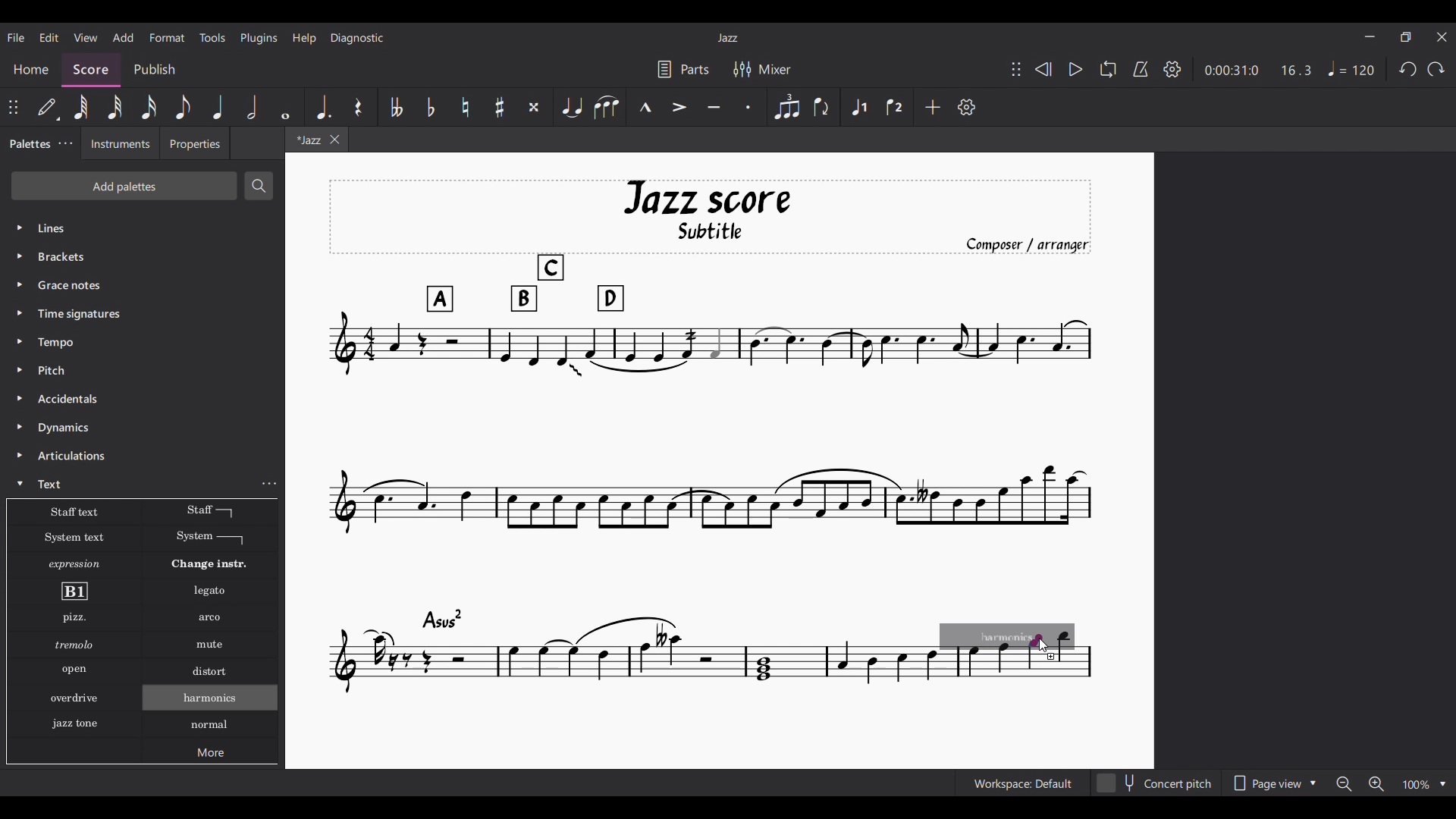 The height and width of the screenshot is (819, 1456). I want to click on Staccato, so click(749, 107).